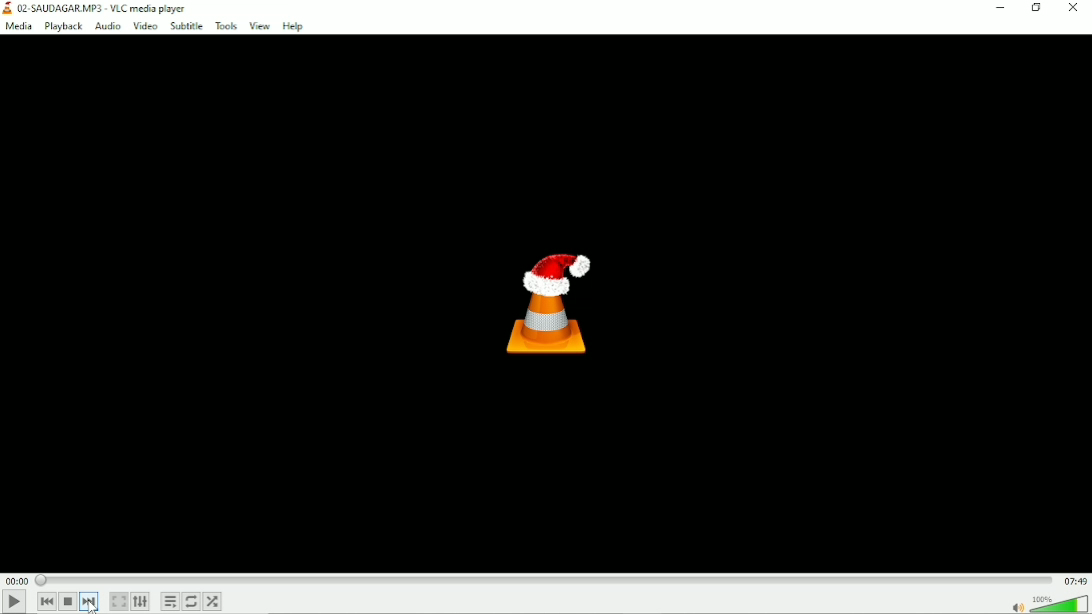  I want to click on Volume, so click(1048, 603).